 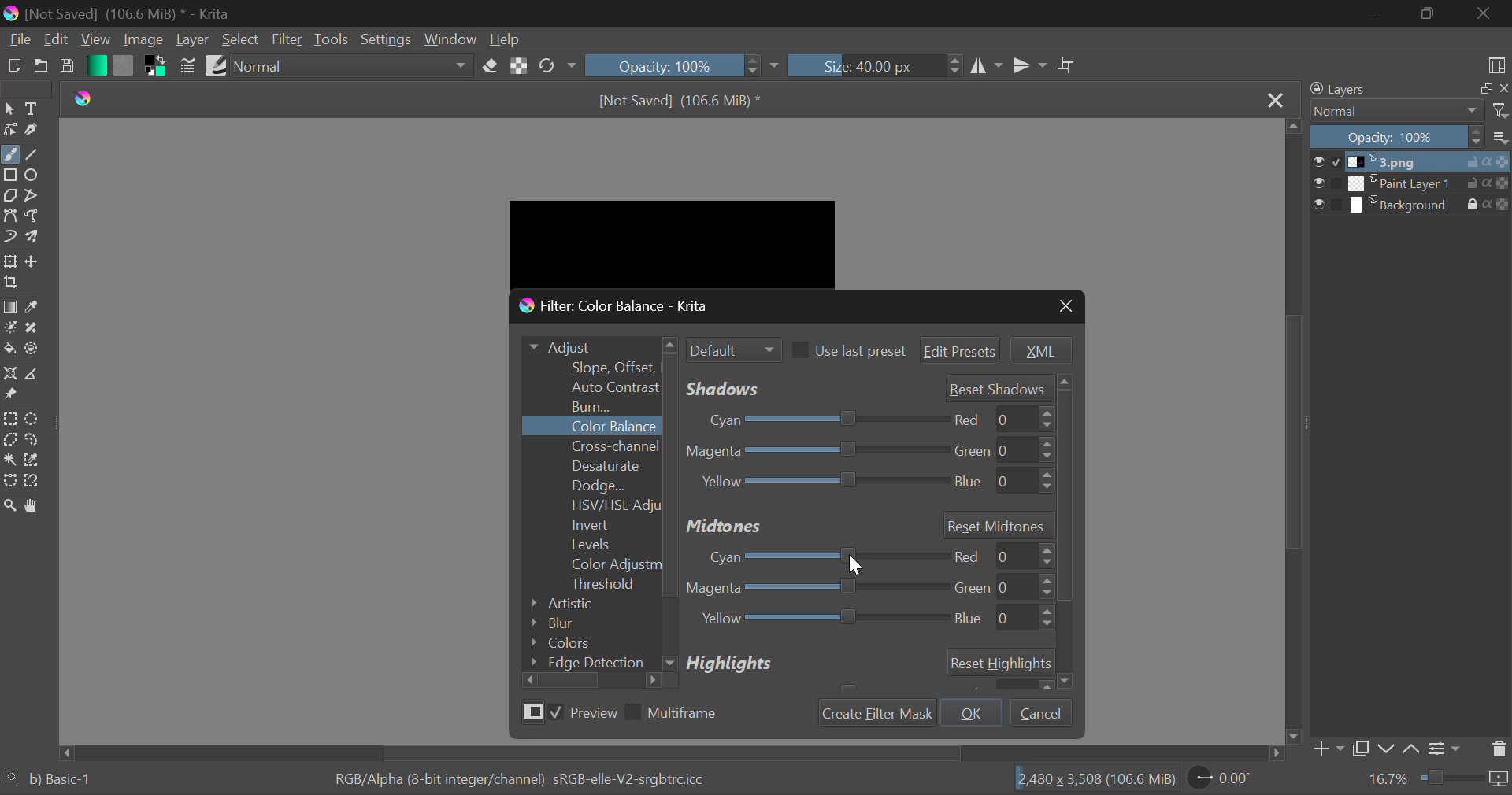 I want to click on Pan, so click(x=38, y=505).